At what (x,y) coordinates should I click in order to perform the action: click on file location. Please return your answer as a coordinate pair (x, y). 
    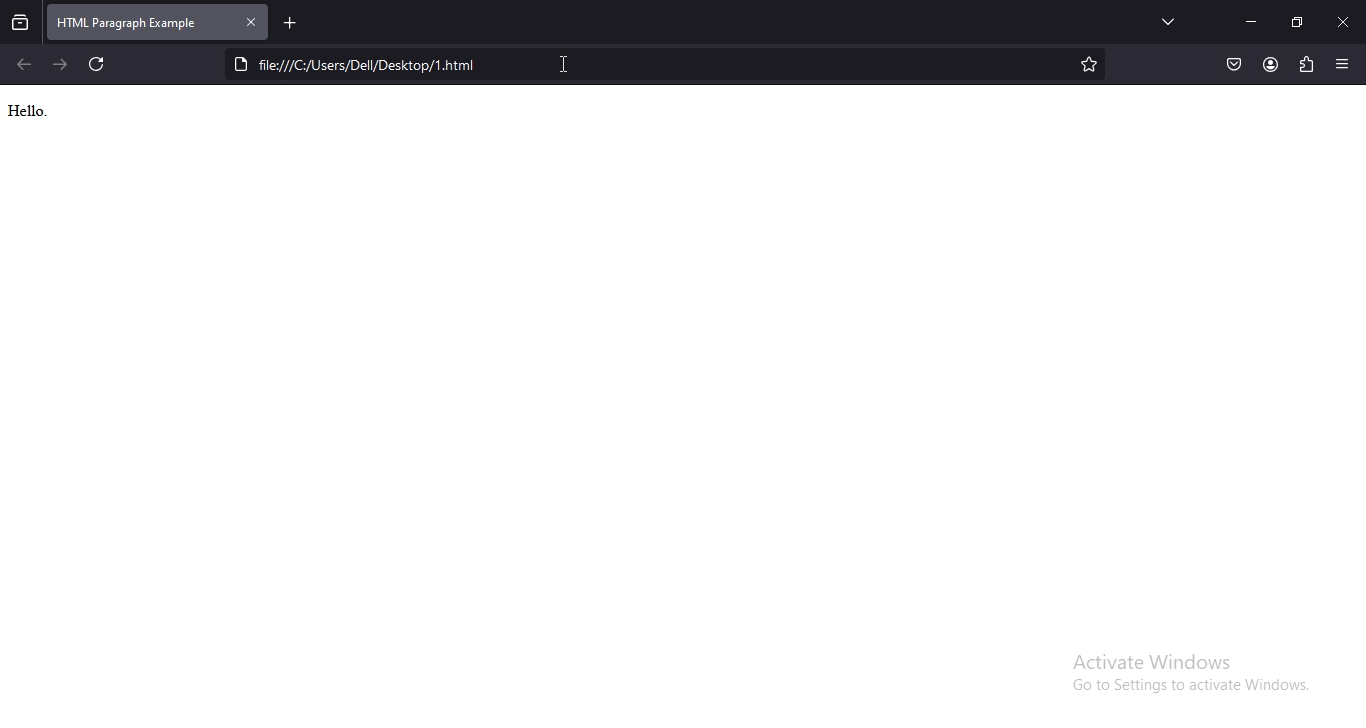
    Looking at the image, I should click on (612, 64).